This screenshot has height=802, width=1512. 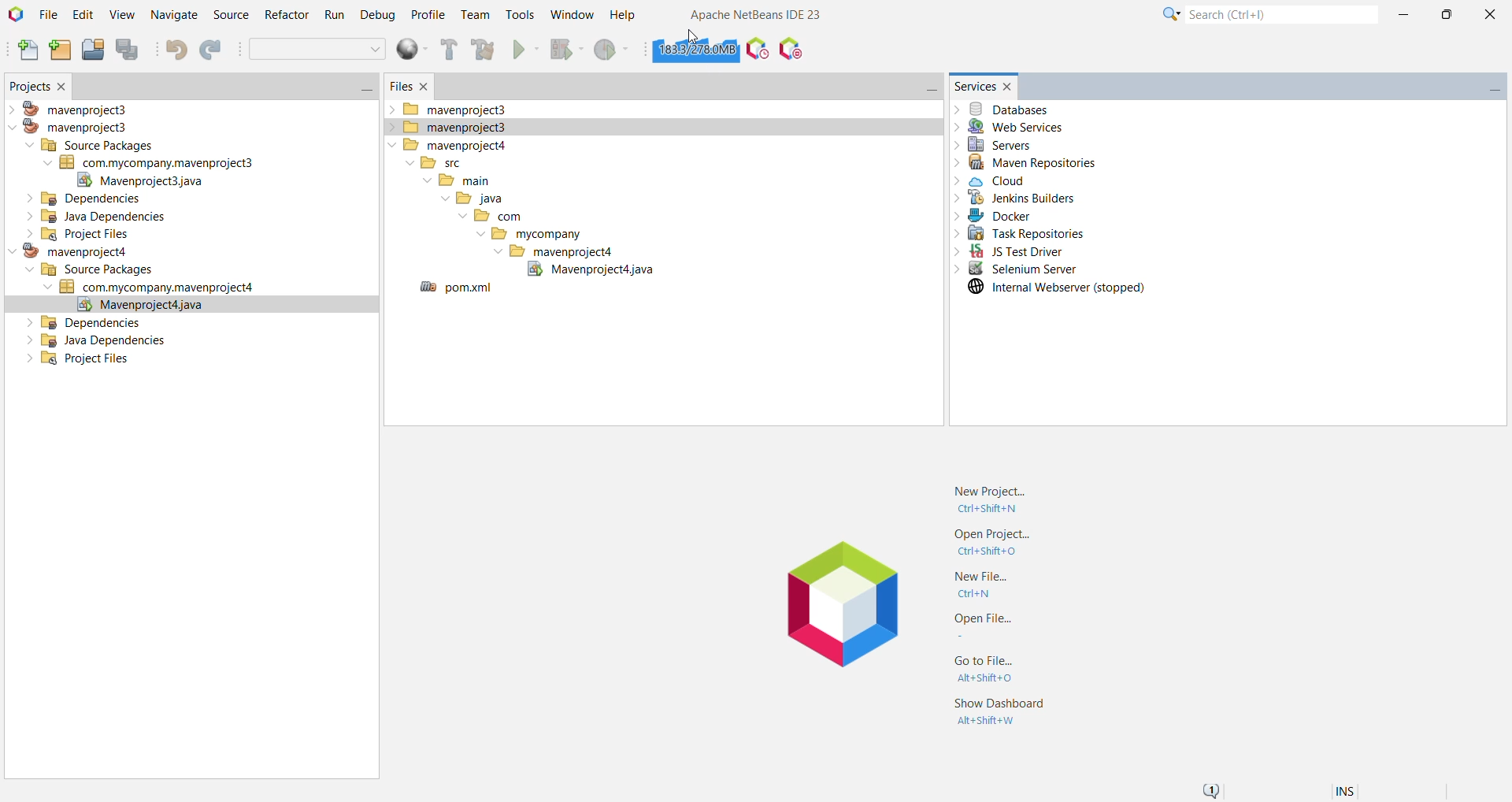 I want to click on Minimize Window Group, so click(x=1492, y=88).